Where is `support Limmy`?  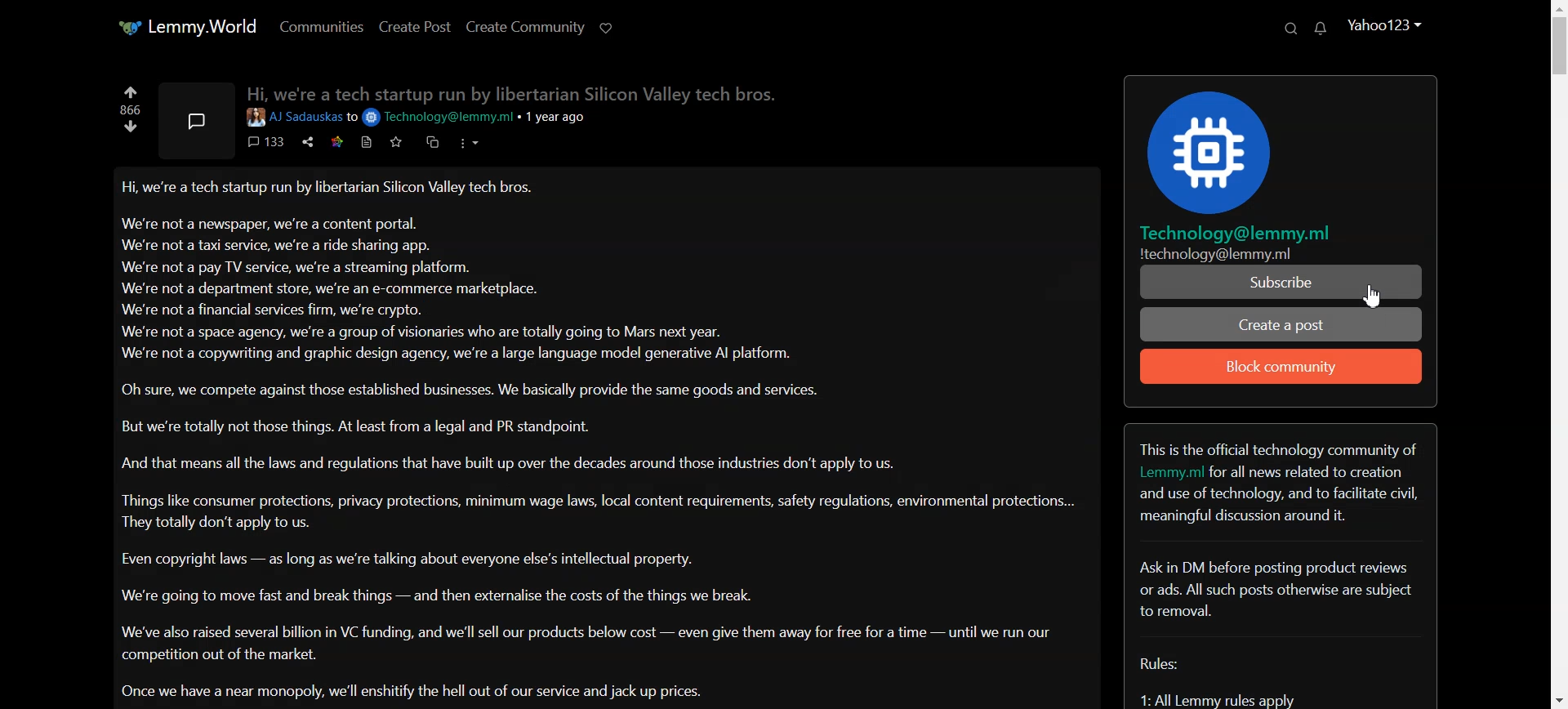
support Limmy is located at coordinates (609, 26).